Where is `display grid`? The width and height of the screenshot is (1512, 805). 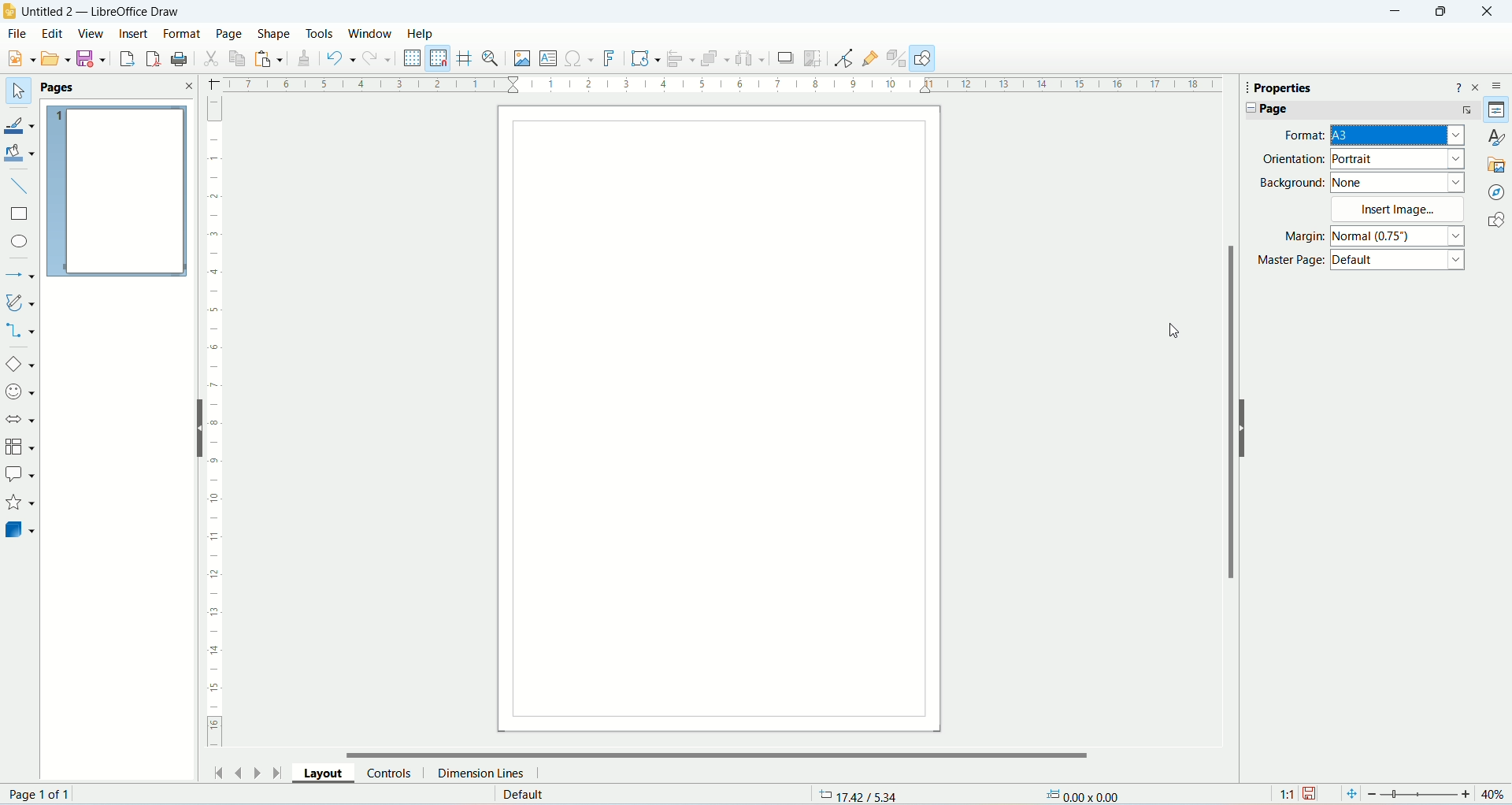
display grid is located at coordinates (412, 56).